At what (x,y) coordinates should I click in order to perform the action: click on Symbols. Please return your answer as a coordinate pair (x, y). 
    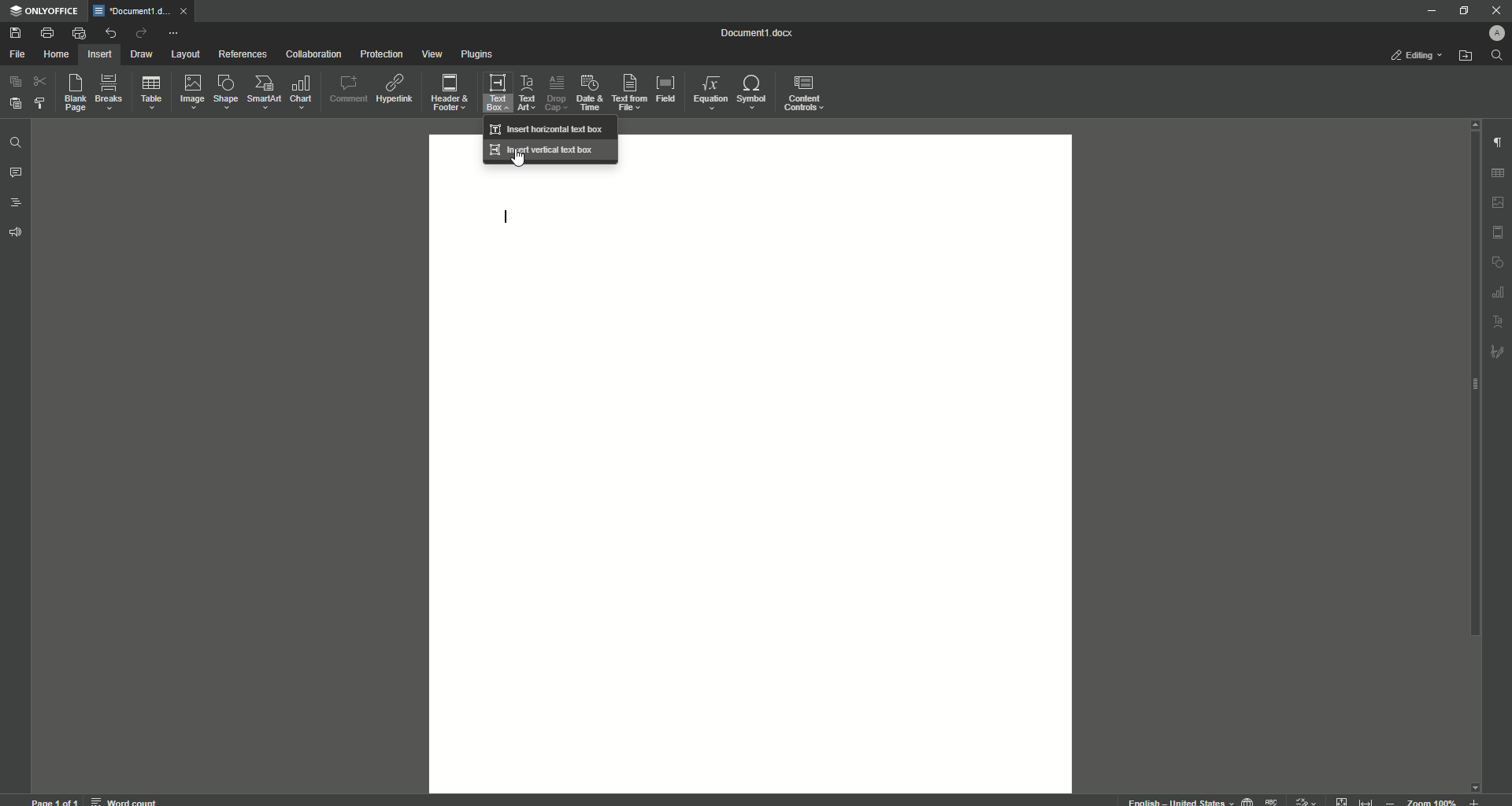
    Looking at the image, I should click on (750, 92).